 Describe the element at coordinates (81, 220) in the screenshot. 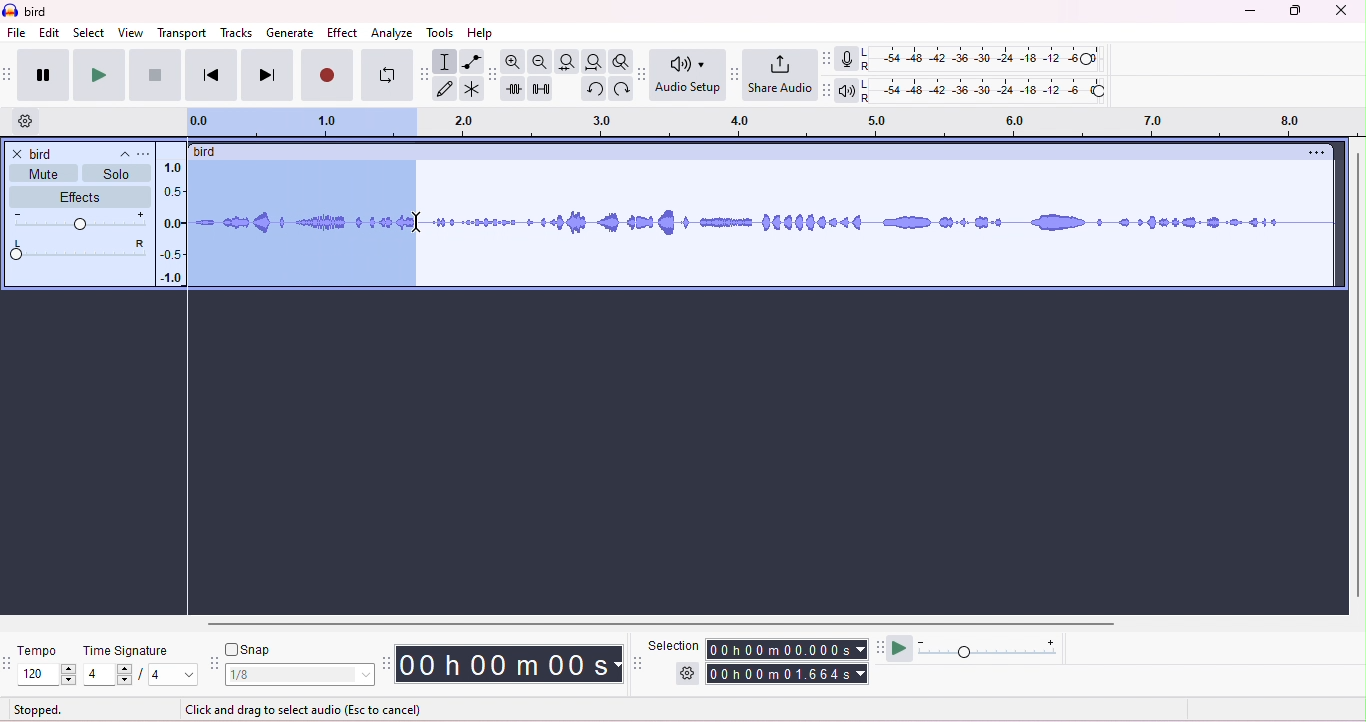

I see `volume` at that location.